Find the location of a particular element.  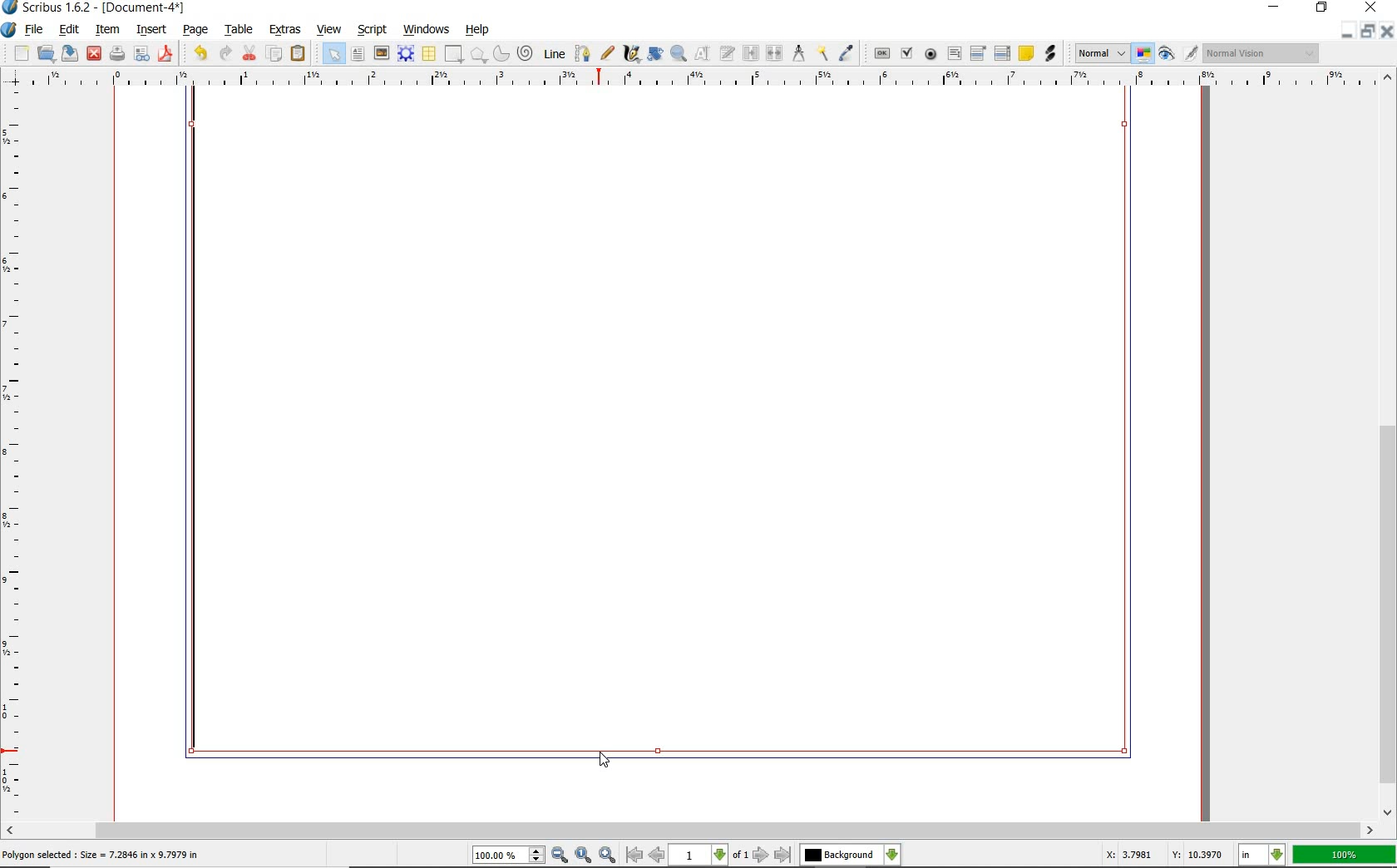

pdf list box is located at coordinates (1002, 52).